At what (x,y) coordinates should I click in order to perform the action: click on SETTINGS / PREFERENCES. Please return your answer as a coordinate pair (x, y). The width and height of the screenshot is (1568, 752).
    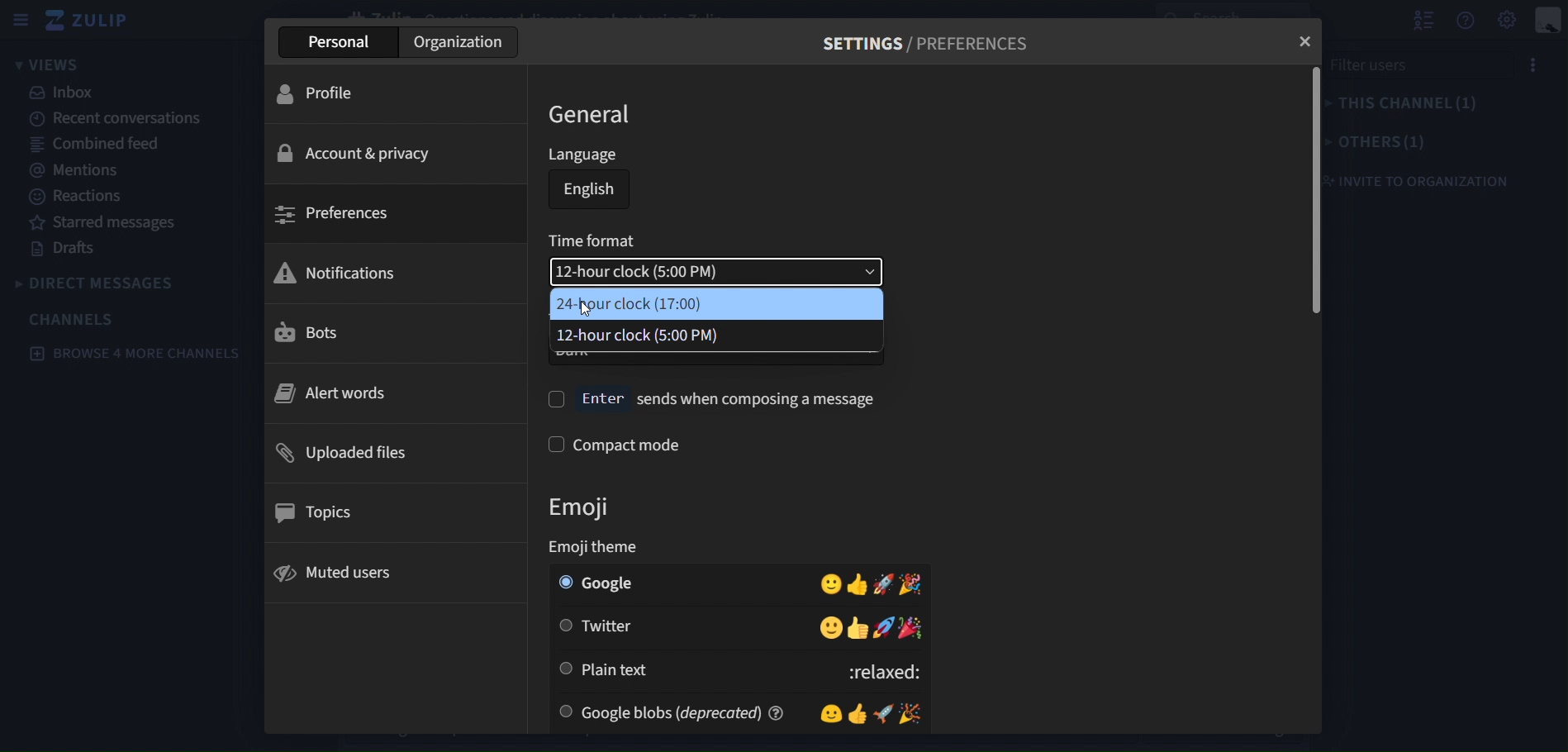
    Looking at the image, I should click on (924, 42).